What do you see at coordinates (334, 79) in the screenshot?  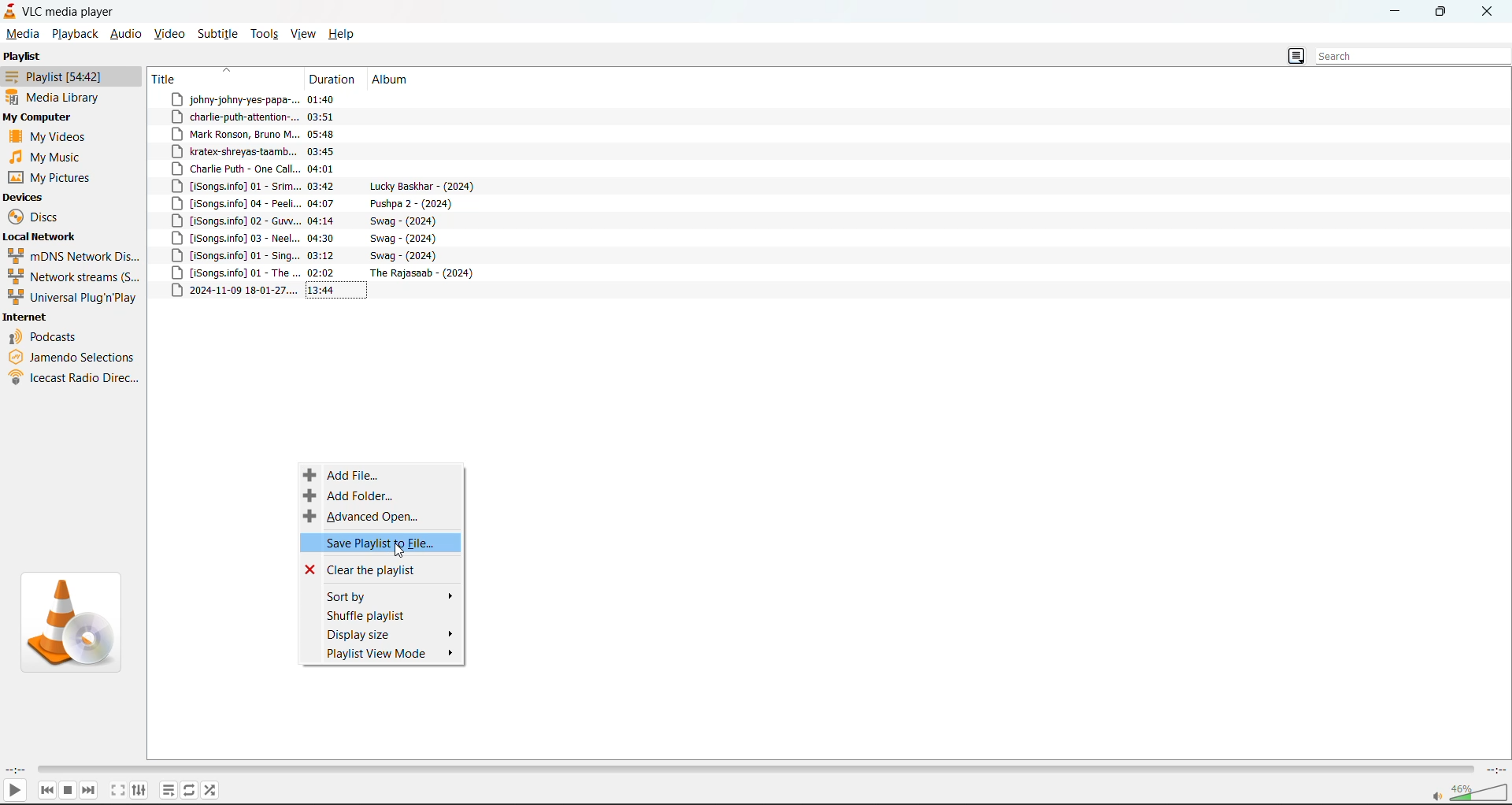 I see `duration` at bounding box center [334, 79].